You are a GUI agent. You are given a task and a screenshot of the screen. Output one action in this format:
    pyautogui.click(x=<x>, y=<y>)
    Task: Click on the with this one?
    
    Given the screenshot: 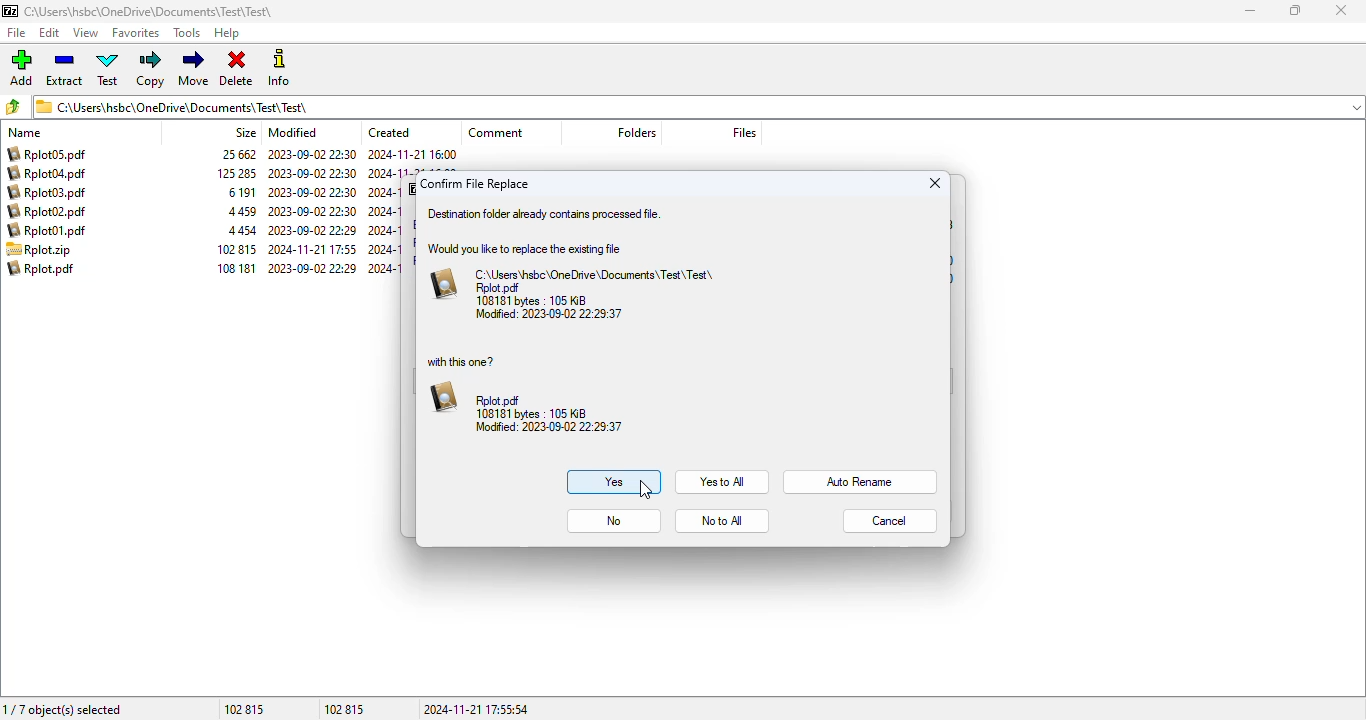 What is the action you would take?
    pyautogui.click(x=465, y=361)
    